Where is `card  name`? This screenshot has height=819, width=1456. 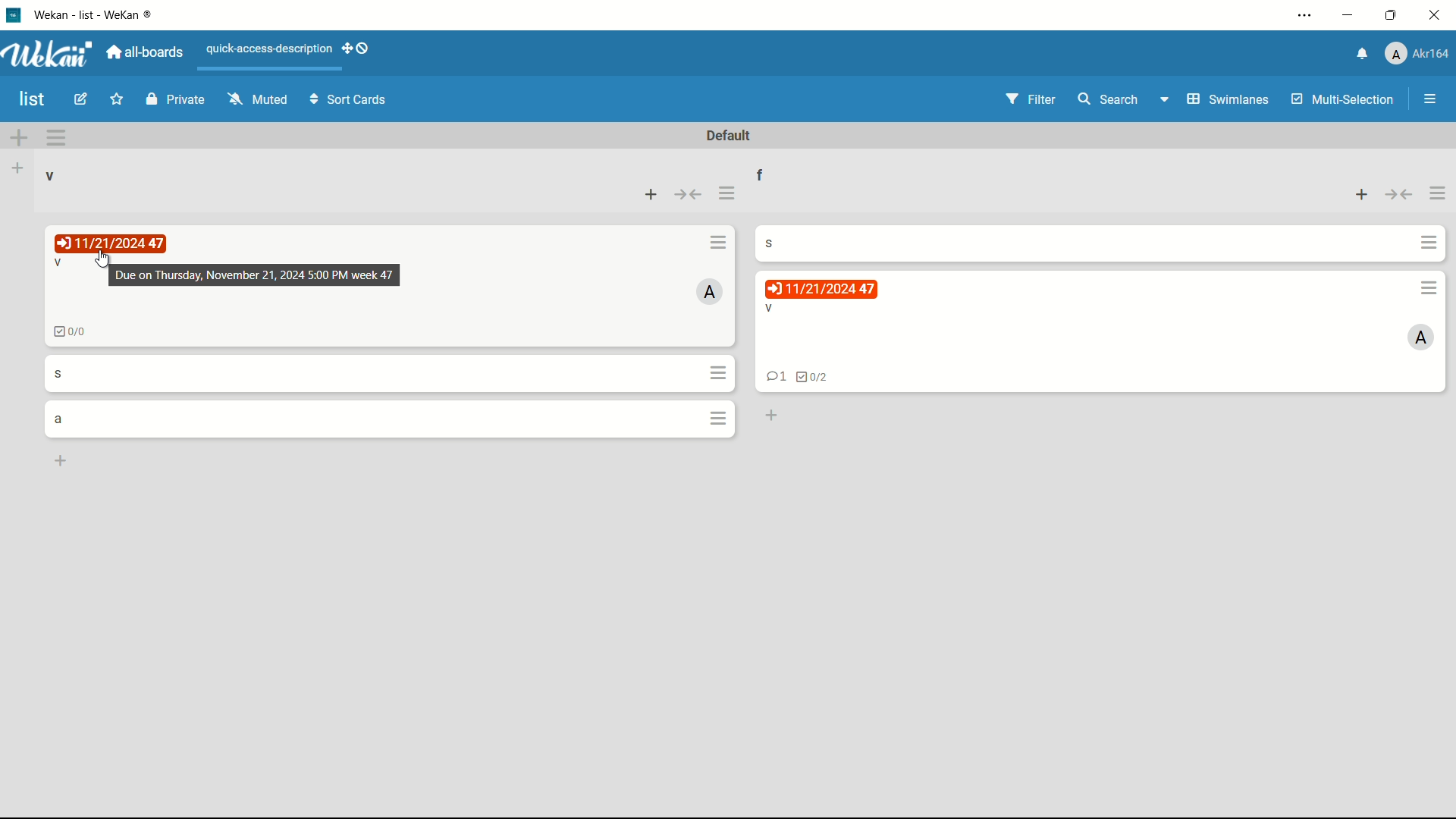 card  name is located at coordinates (768, 309).